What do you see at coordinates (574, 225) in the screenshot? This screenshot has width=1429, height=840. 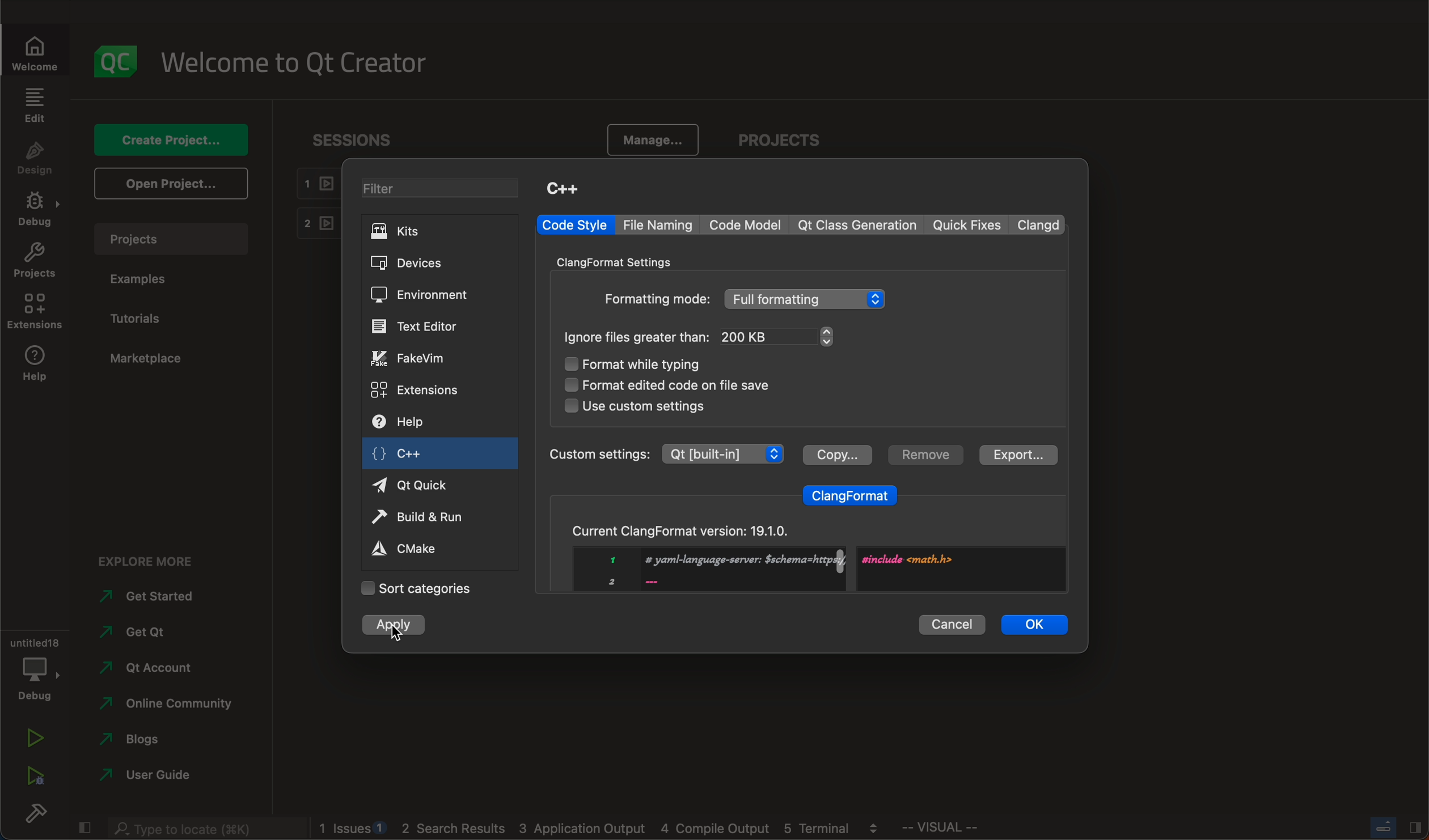 I see `style` at bounding box center [574, 225].